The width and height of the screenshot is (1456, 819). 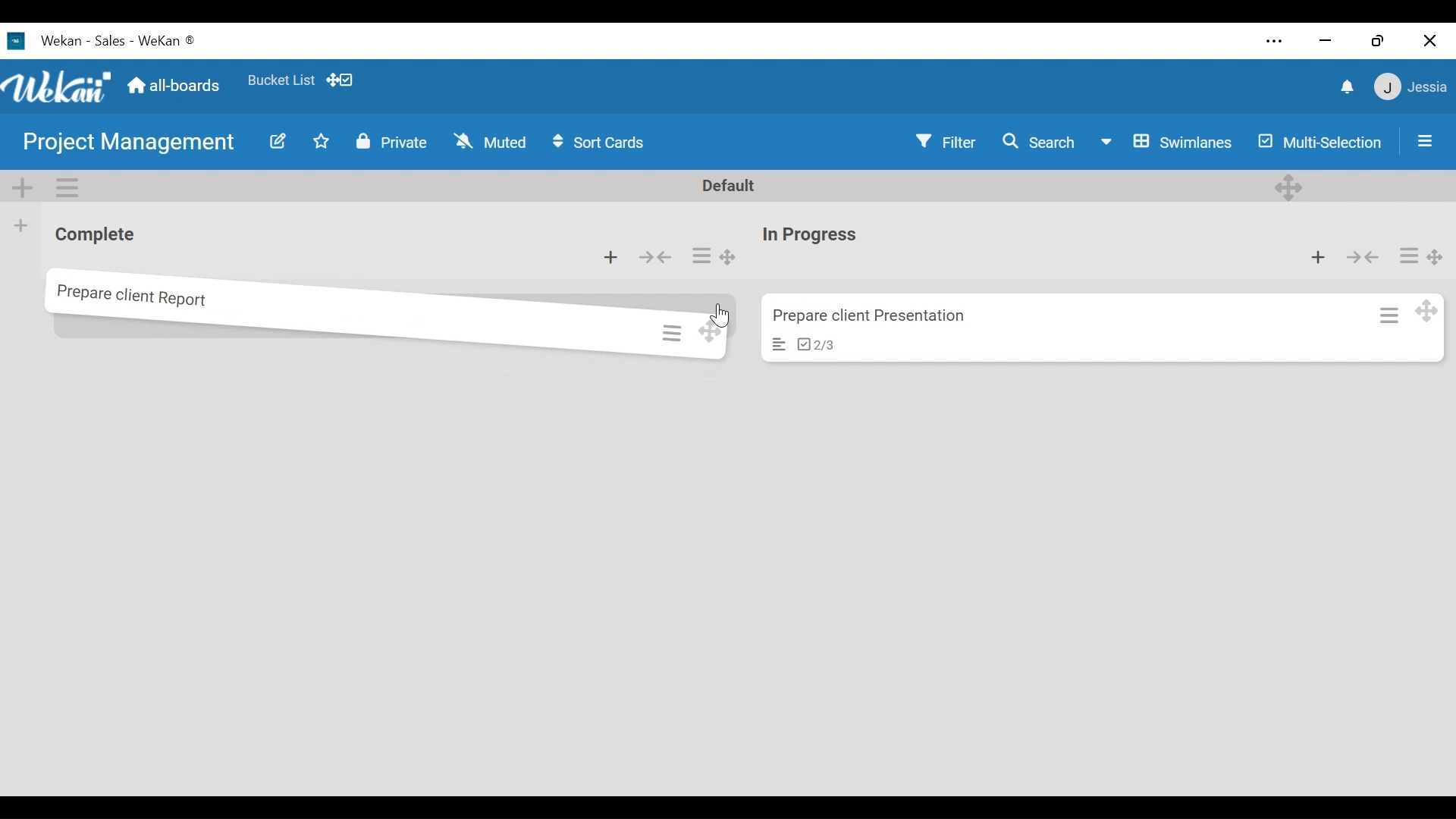 What do you see at coordinates (1323, 40) in the screenshot?
I see `minimize` at bounding box center [1323, 40].